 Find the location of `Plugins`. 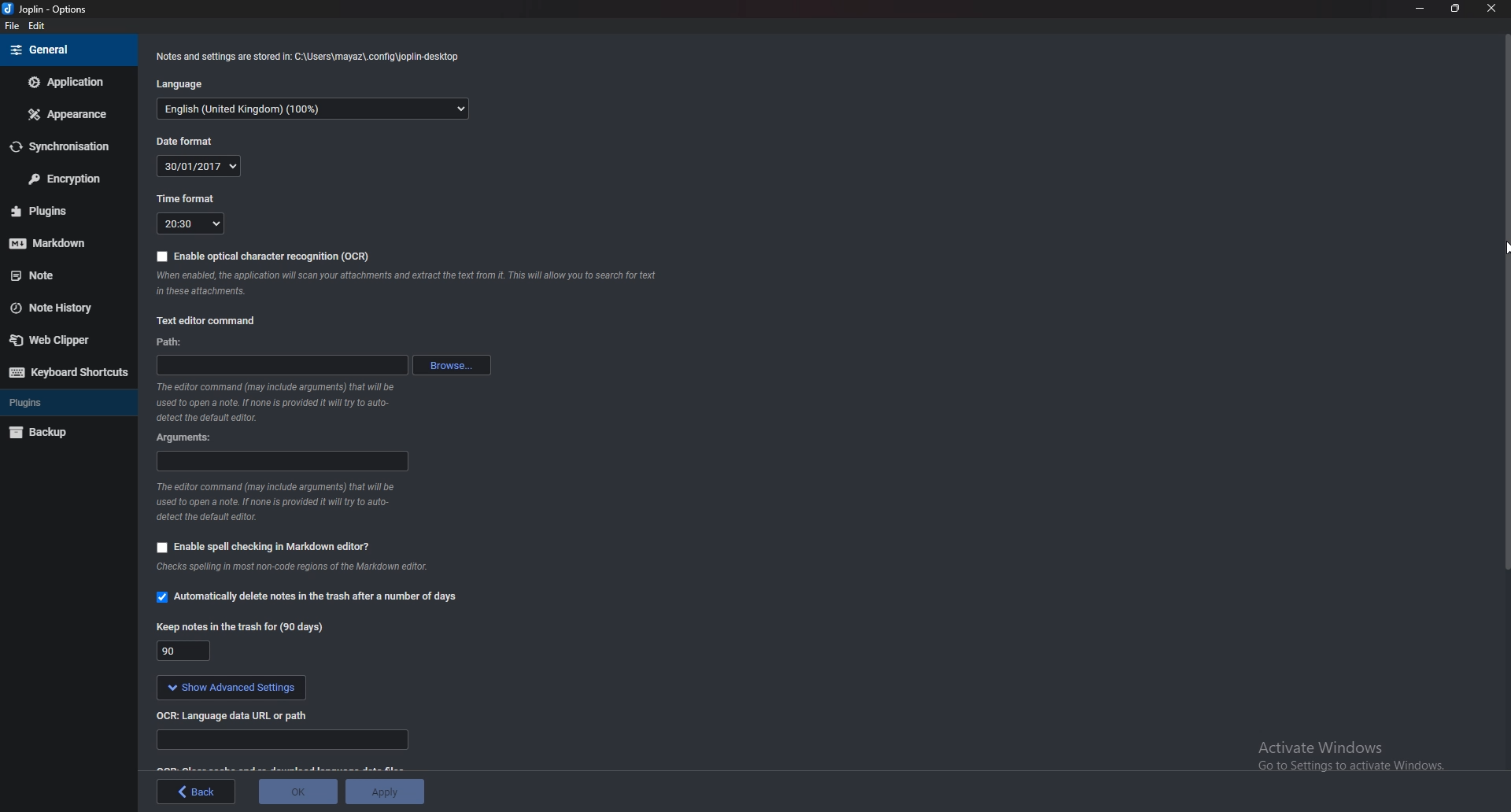

Plugins is located at coordinates (60, 401).